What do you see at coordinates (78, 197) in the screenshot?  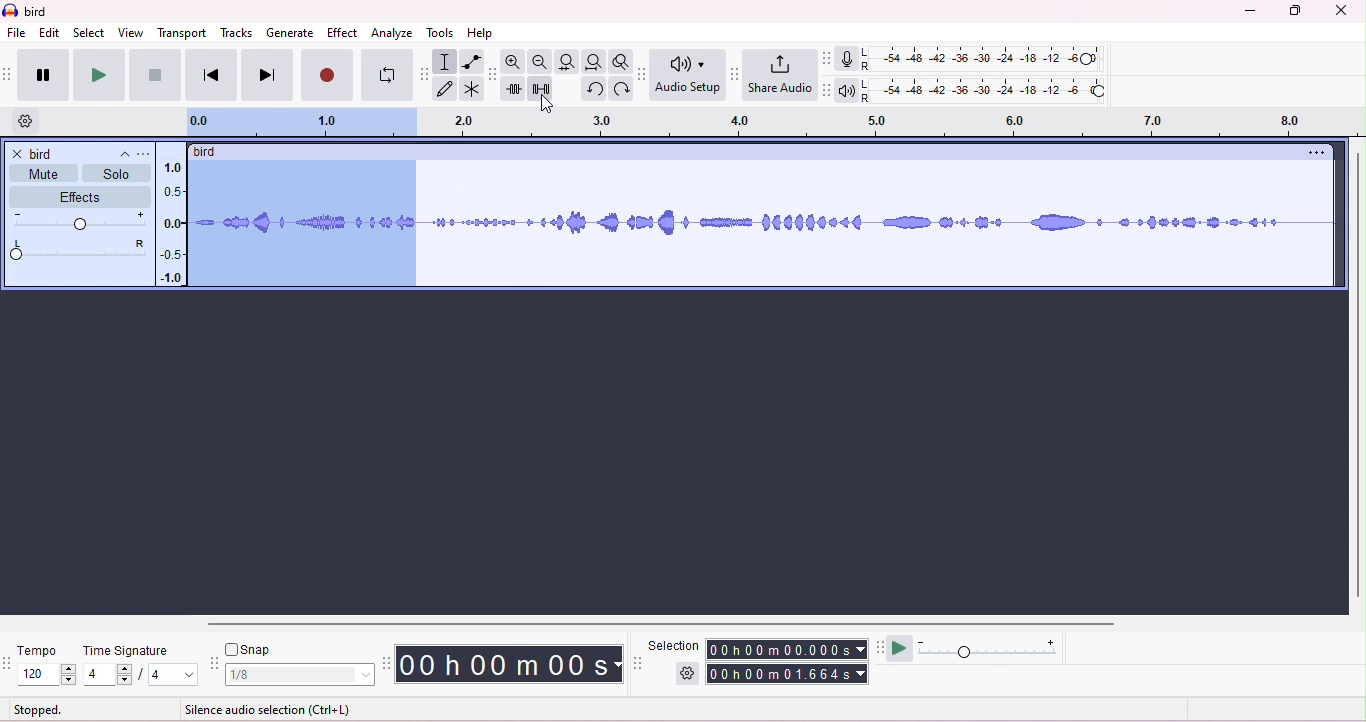 I see `effects` at bounding box center [78, 197].